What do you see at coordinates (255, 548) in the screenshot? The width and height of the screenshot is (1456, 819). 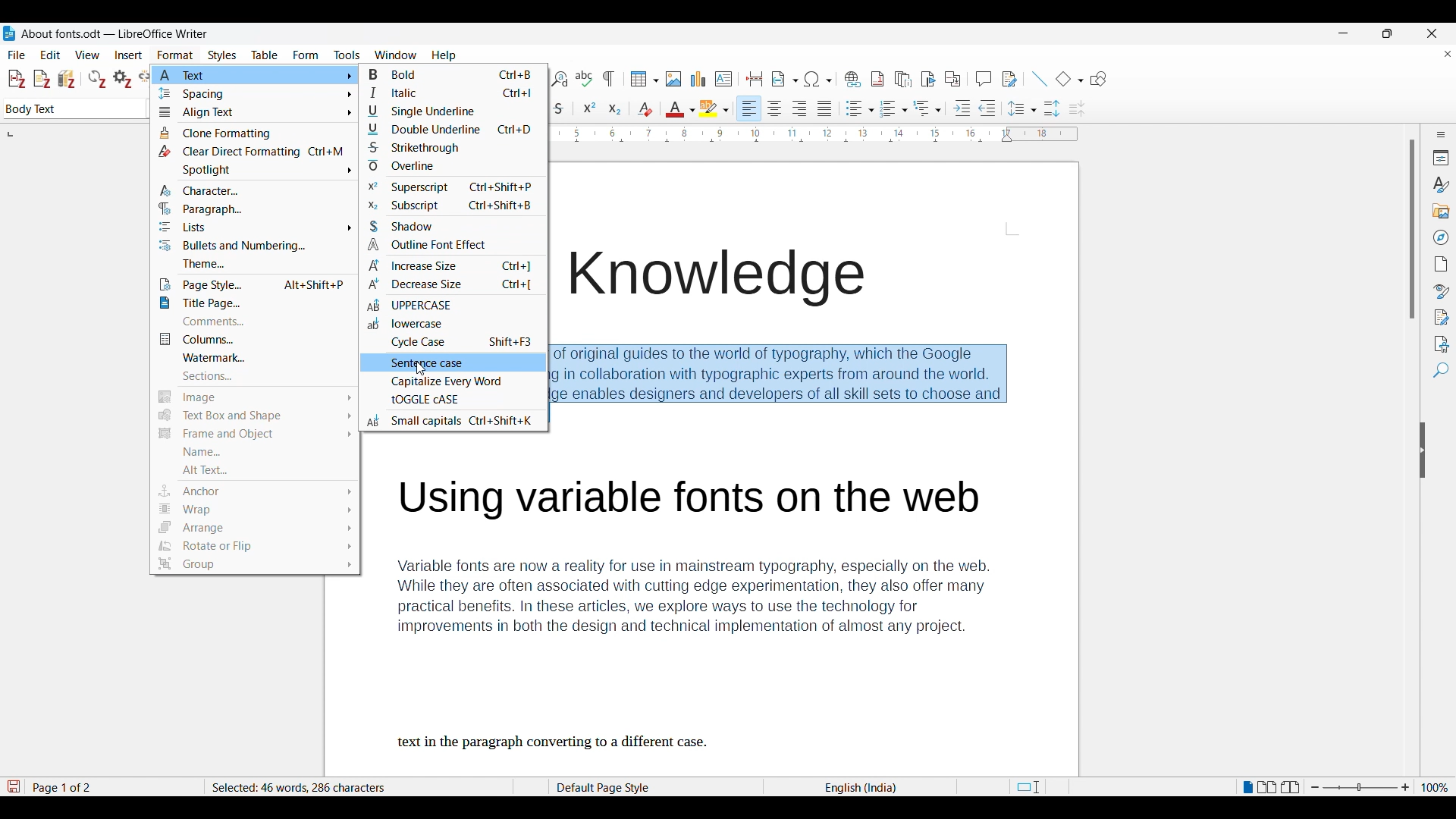 I see `Rotate and flip` at bounding box center [255, 548].